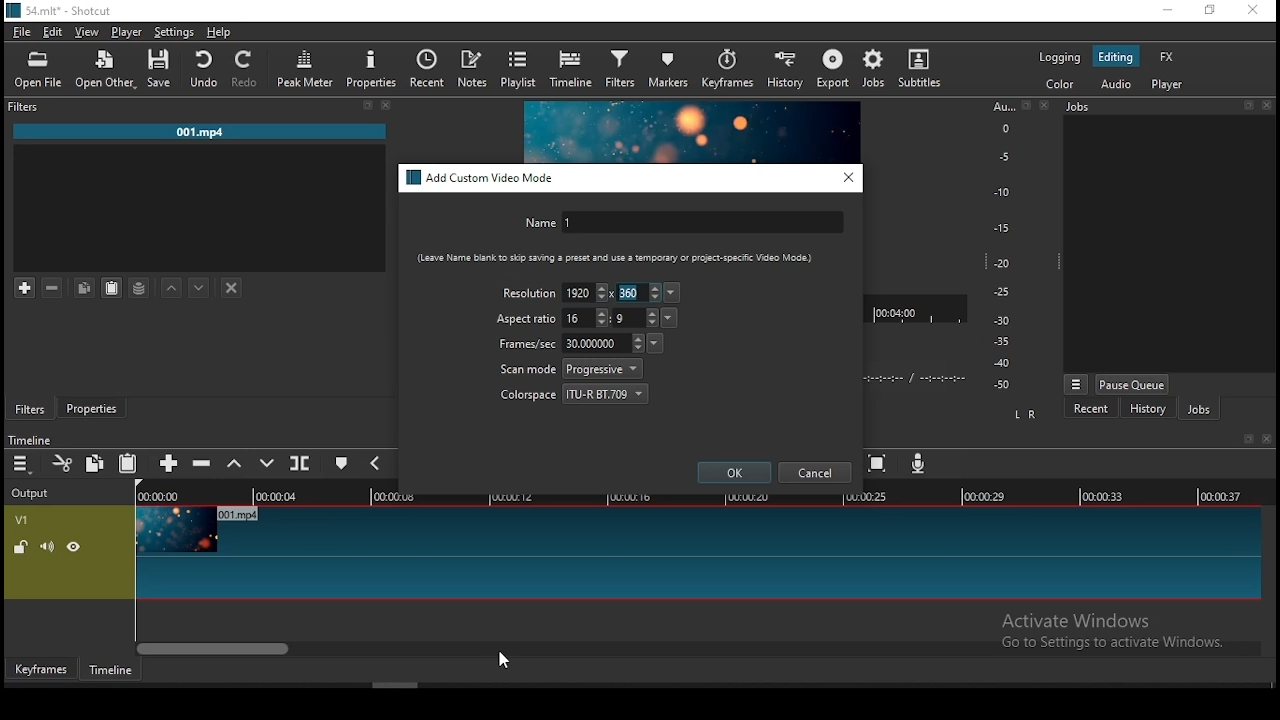 This screenshot has width=1280, height=720. Describe the element at coordinates (387, 105) in the screenshot. I see `close` at that location.